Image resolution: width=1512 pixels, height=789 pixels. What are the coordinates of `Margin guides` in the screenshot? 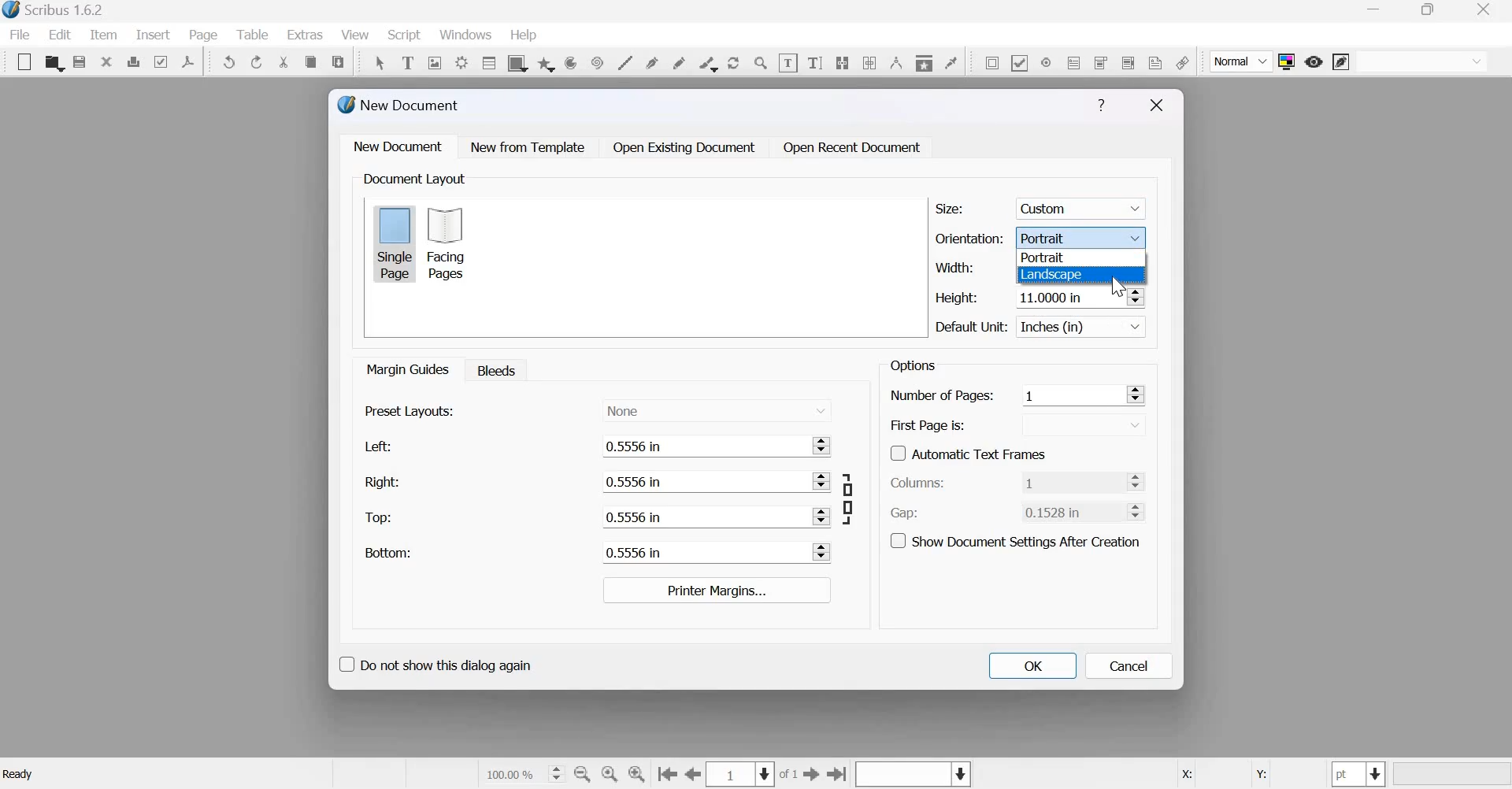 It's located at (406, 369).